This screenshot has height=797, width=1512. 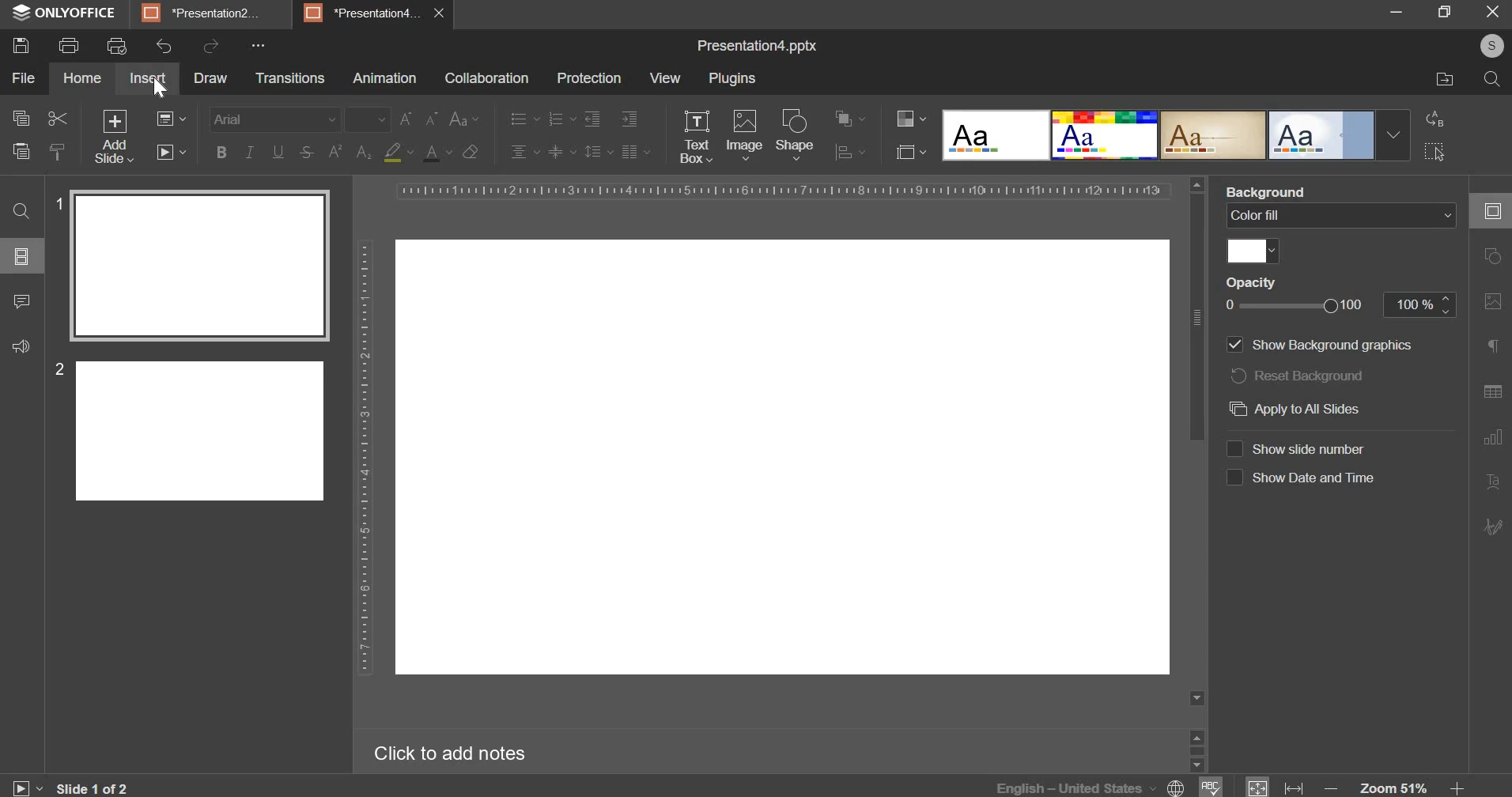 I want to click on 5] *Presentationd., so click(x=375, y=13).